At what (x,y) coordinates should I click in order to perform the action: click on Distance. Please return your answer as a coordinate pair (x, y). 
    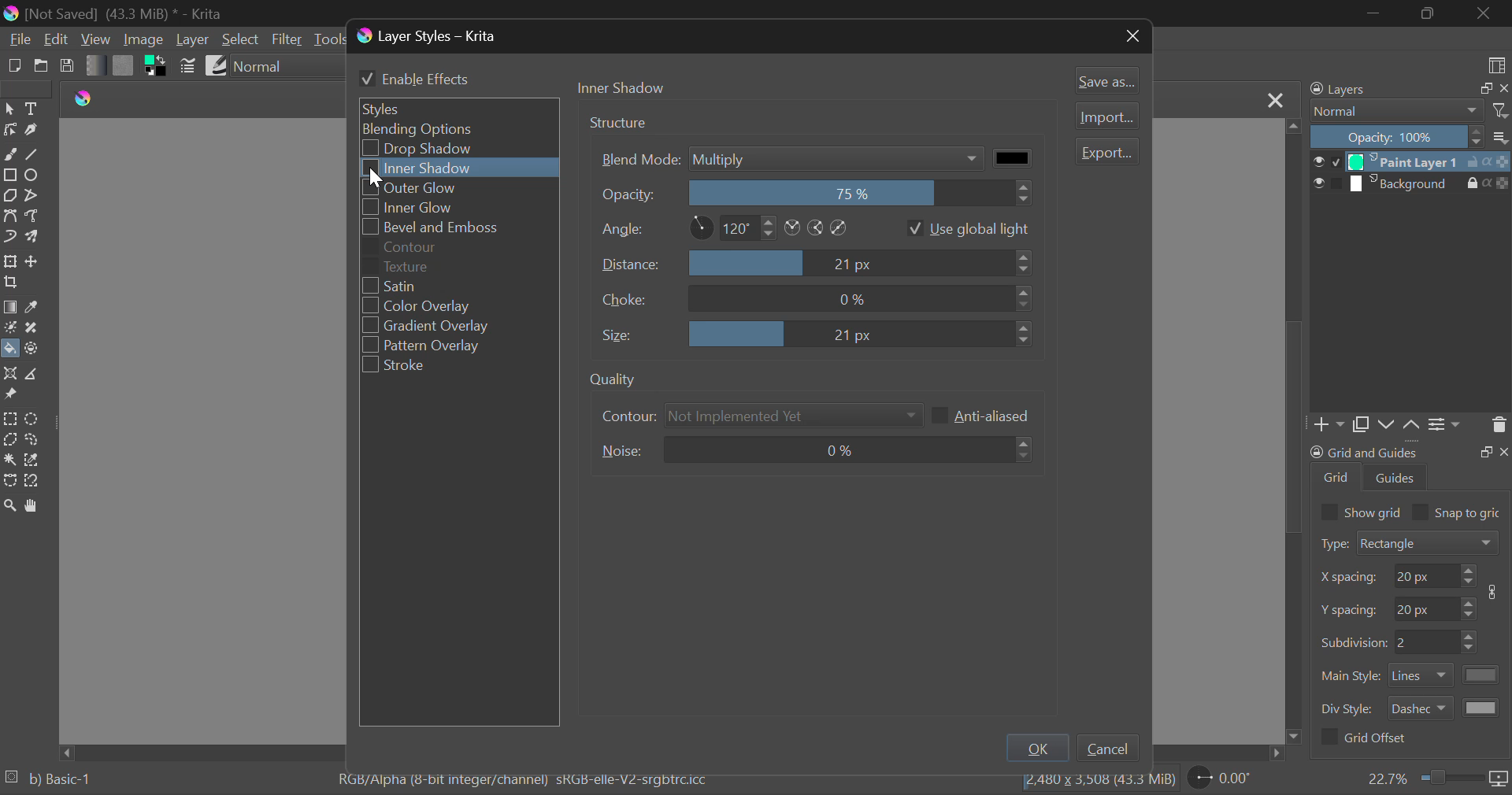
    Looking at the image, I should click on (818, 264).